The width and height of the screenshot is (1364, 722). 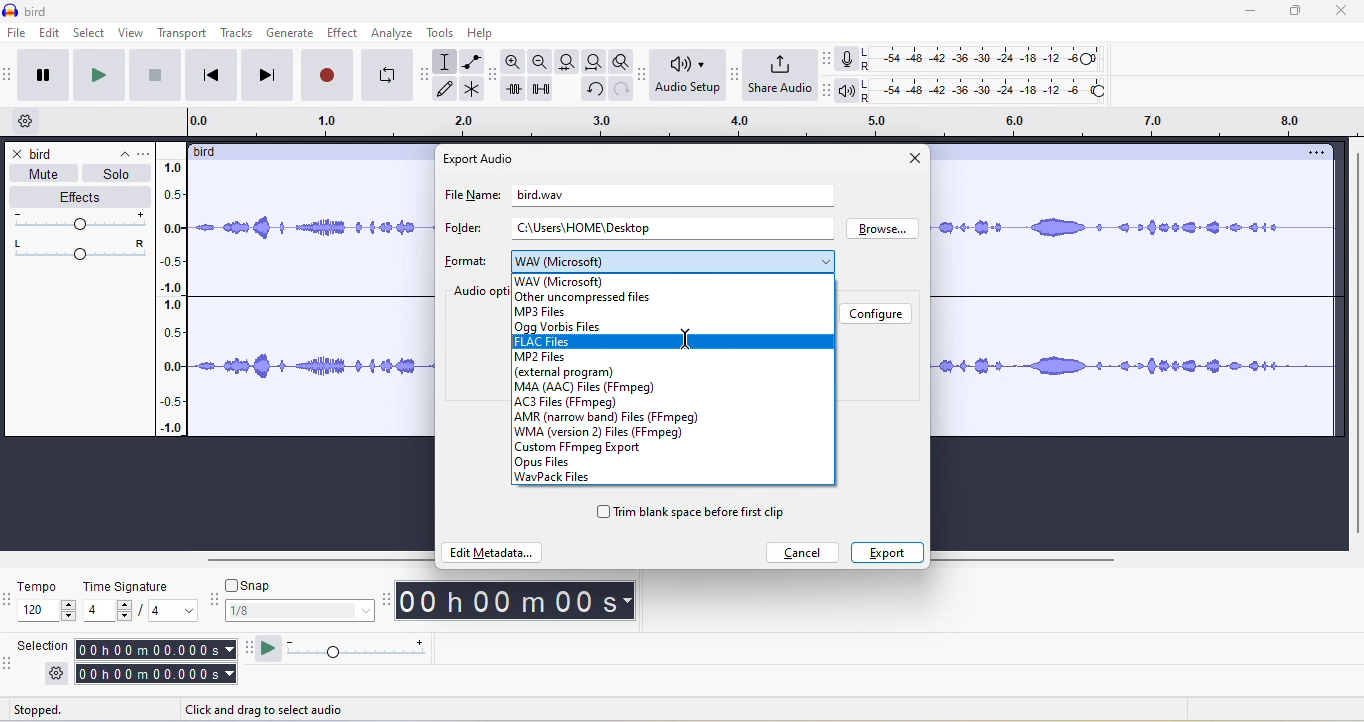 What do you see at coordinates (1259, 13) in the screenshot?
I see `minimize` at bounding box center [1259, 13].